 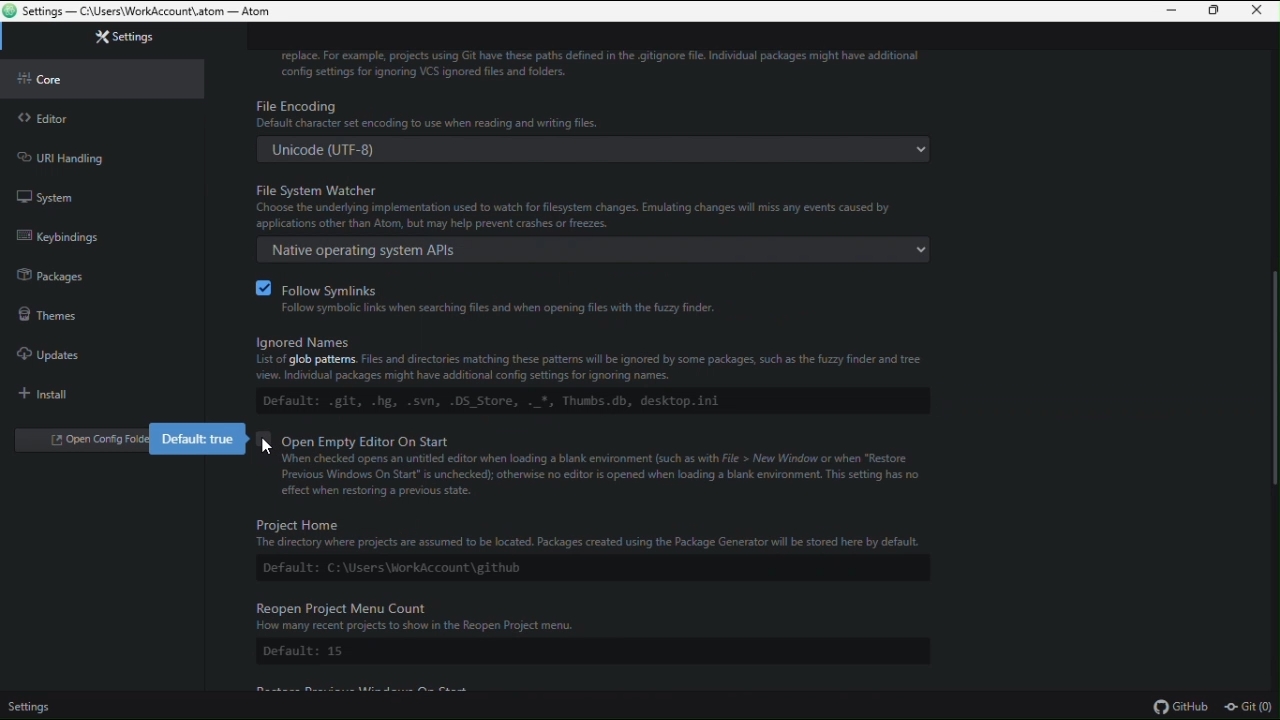 What do you see at coordinates (1214, 12) in the screenshot?
I see `restore` at bounding box center [1214, 12].